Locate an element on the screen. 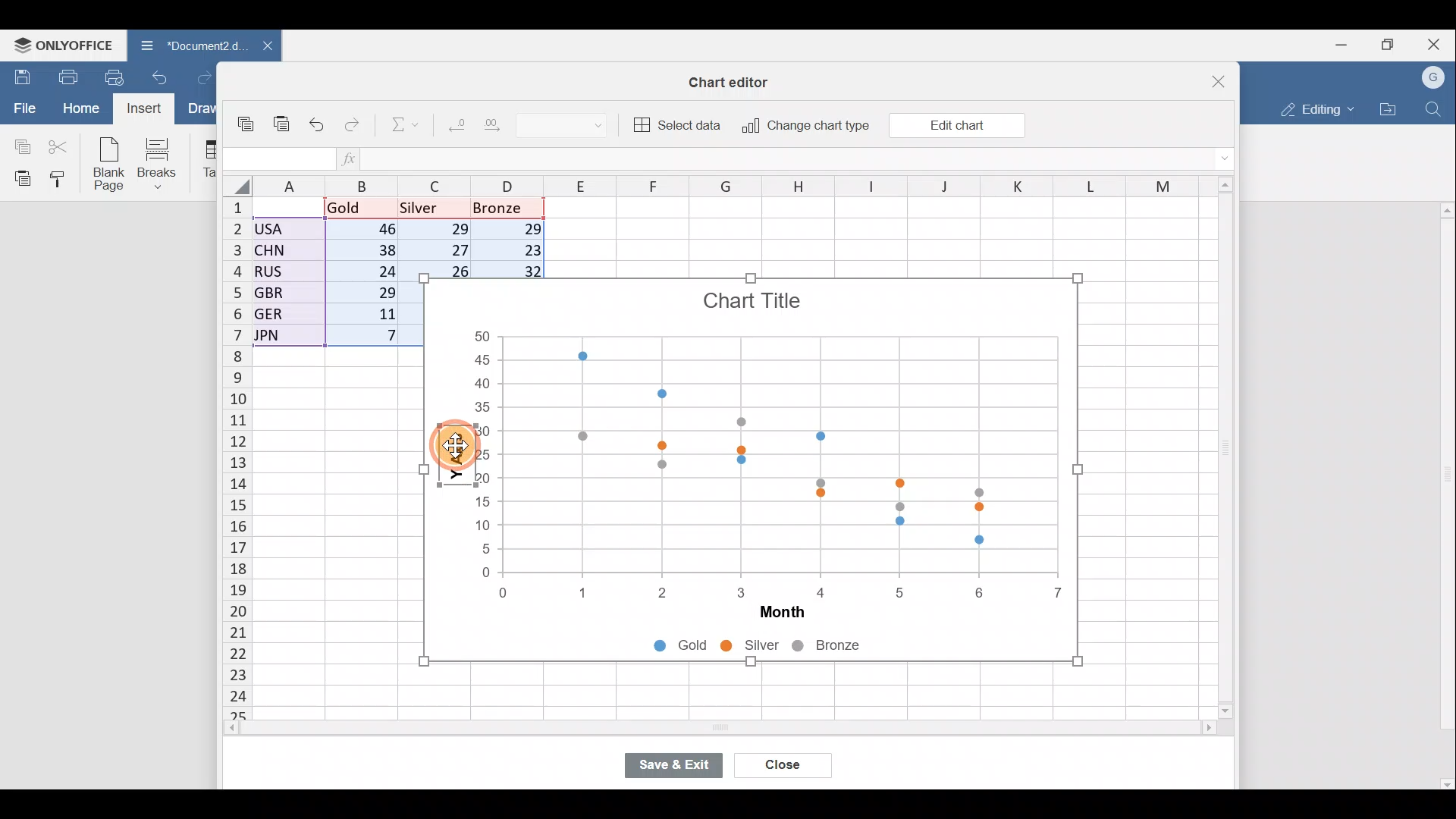 The height and width of the screenshot is (819, 1456). Blank page is located at coordinates (111, 165).